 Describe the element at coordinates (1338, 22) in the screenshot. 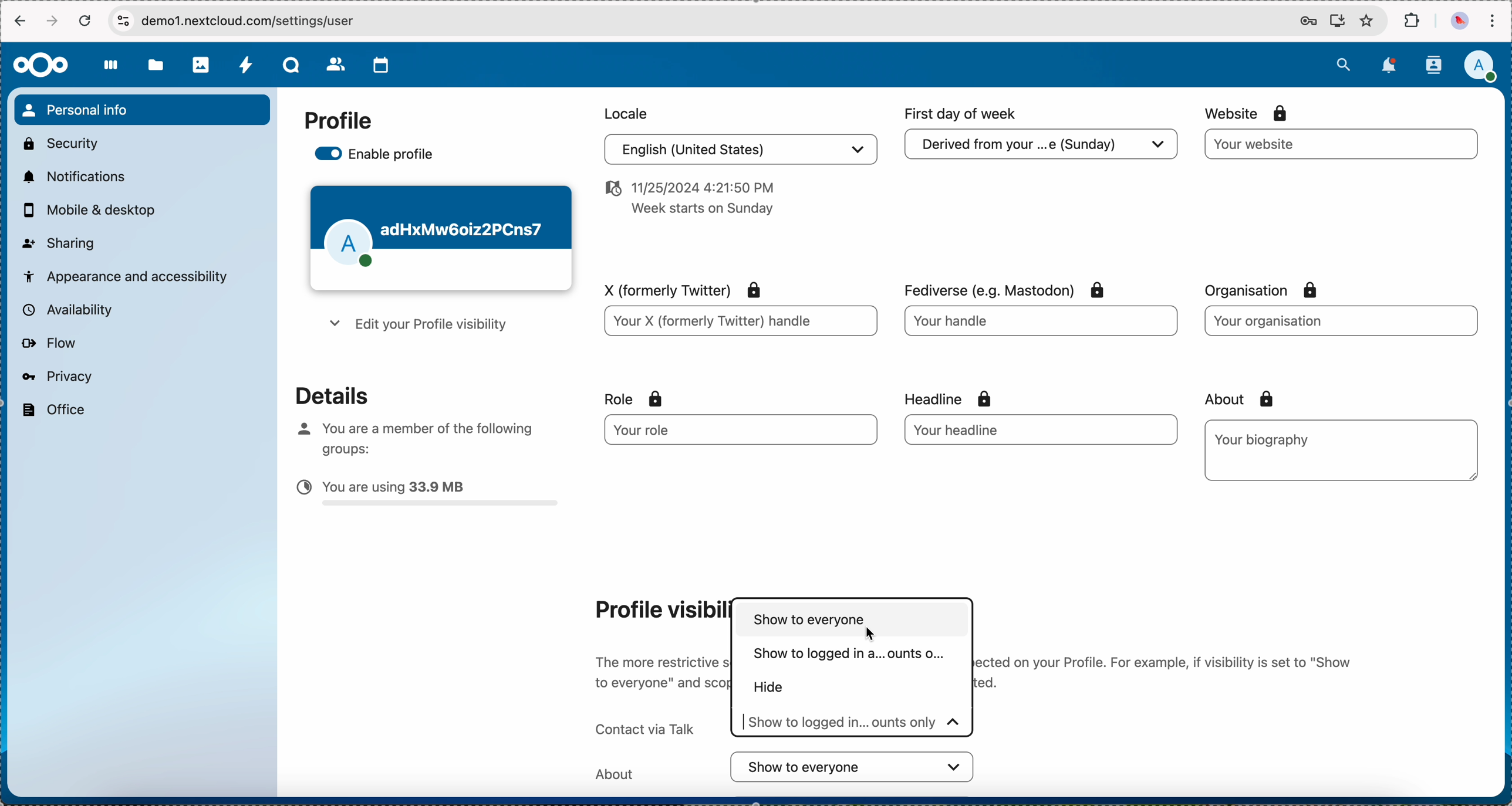

I see `install Nextcloud` at that location.